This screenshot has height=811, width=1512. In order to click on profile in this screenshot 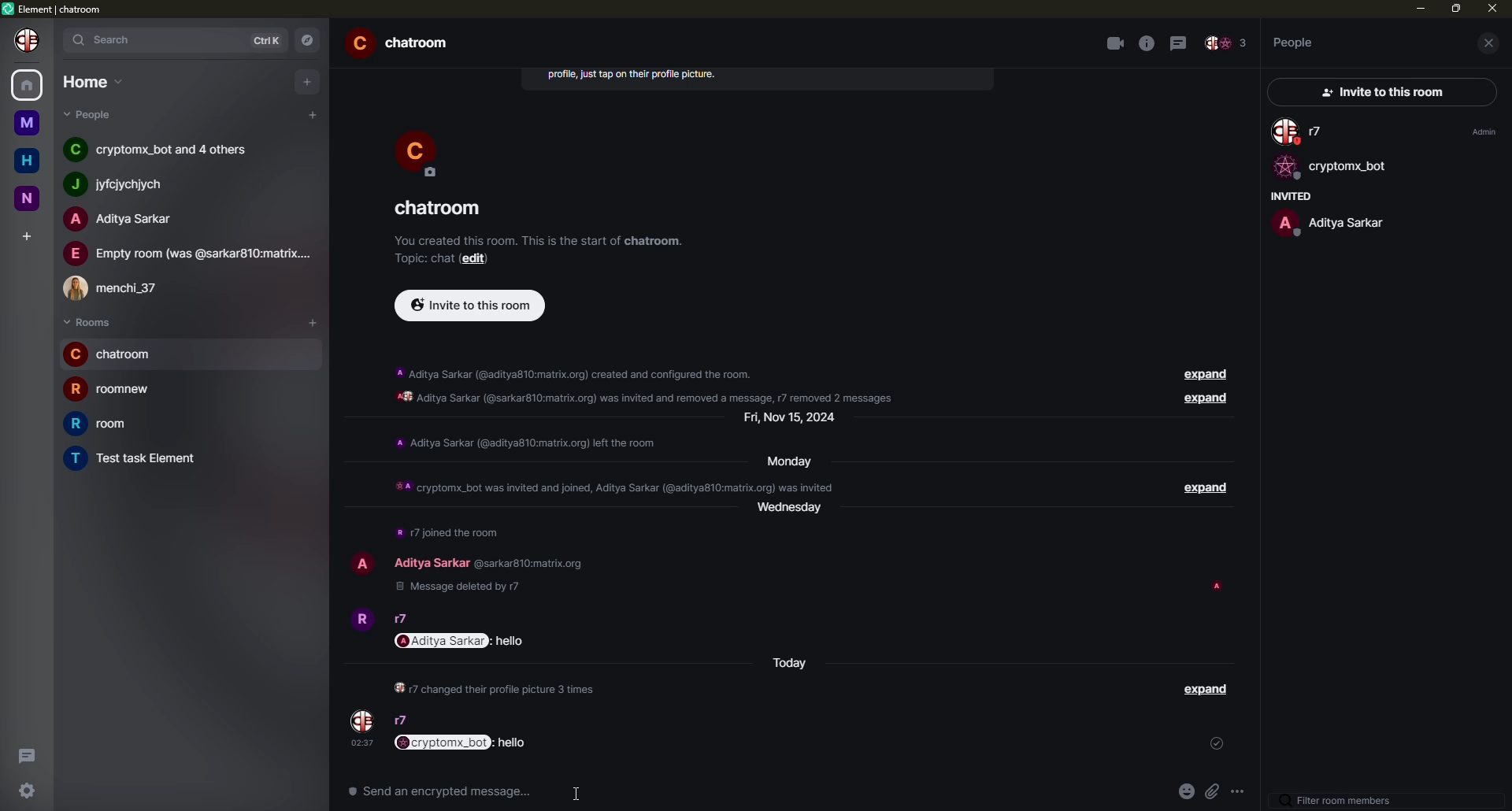, I will do `click(30, 39)`.